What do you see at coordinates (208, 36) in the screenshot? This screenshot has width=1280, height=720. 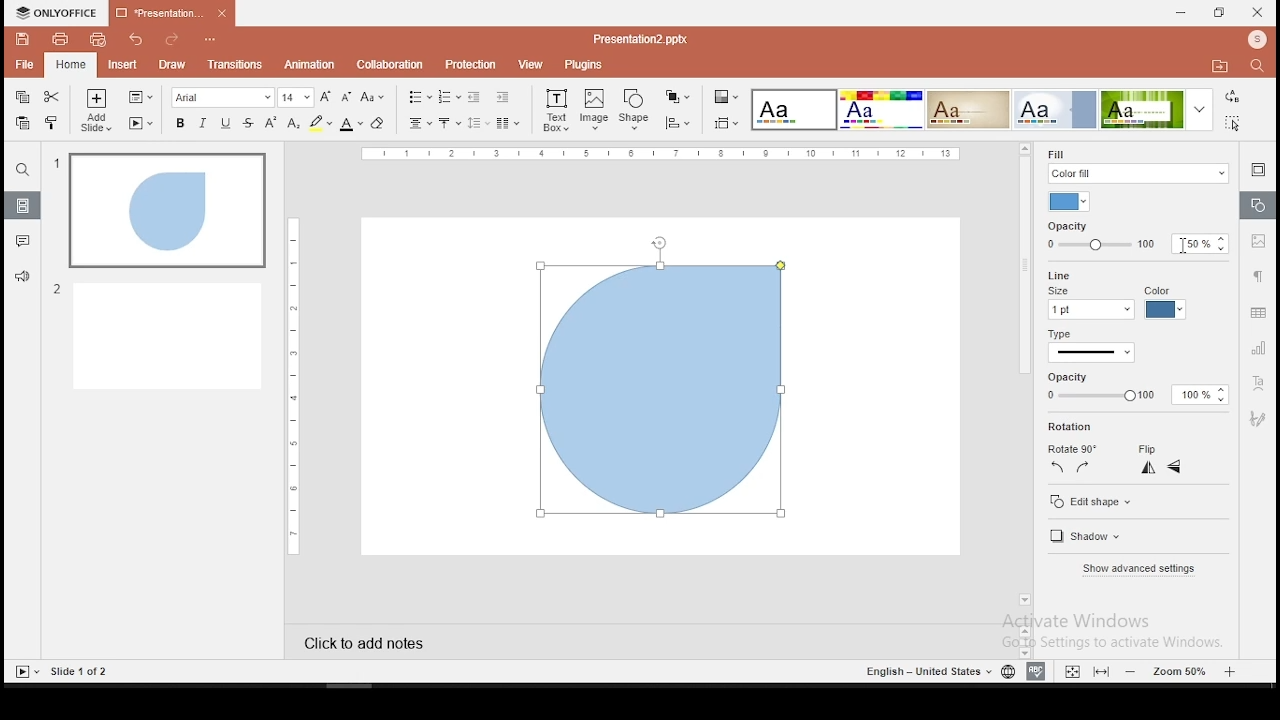 I see `customize quick action toolbar` at bounding box center [208, 36].